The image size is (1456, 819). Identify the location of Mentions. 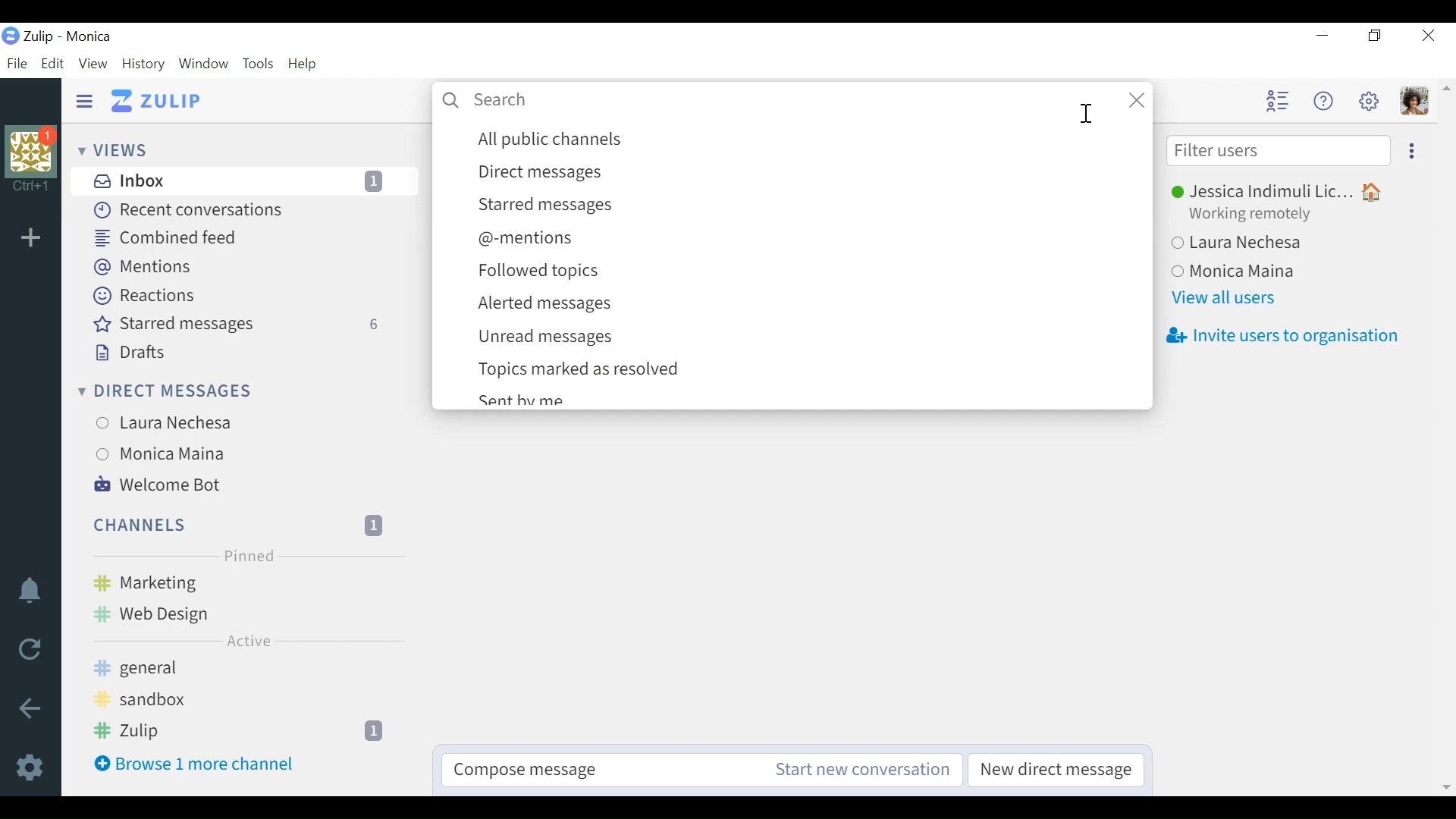
(143, 268).